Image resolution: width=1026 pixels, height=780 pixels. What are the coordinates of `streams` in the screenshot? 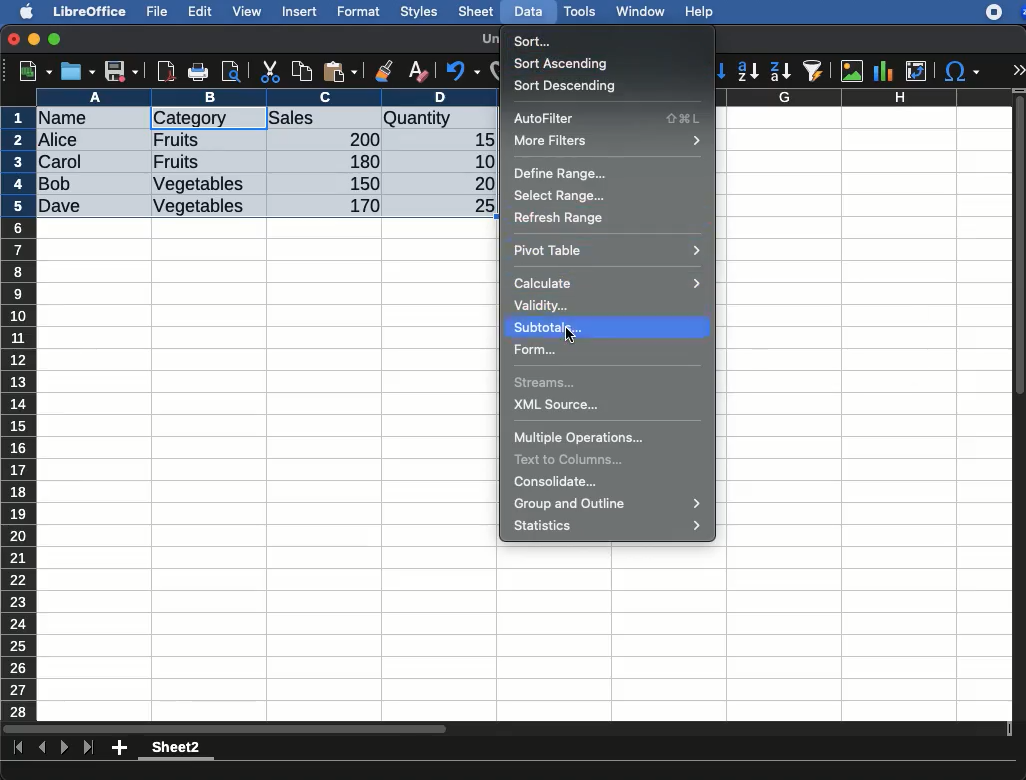 It's located at (548, 385).